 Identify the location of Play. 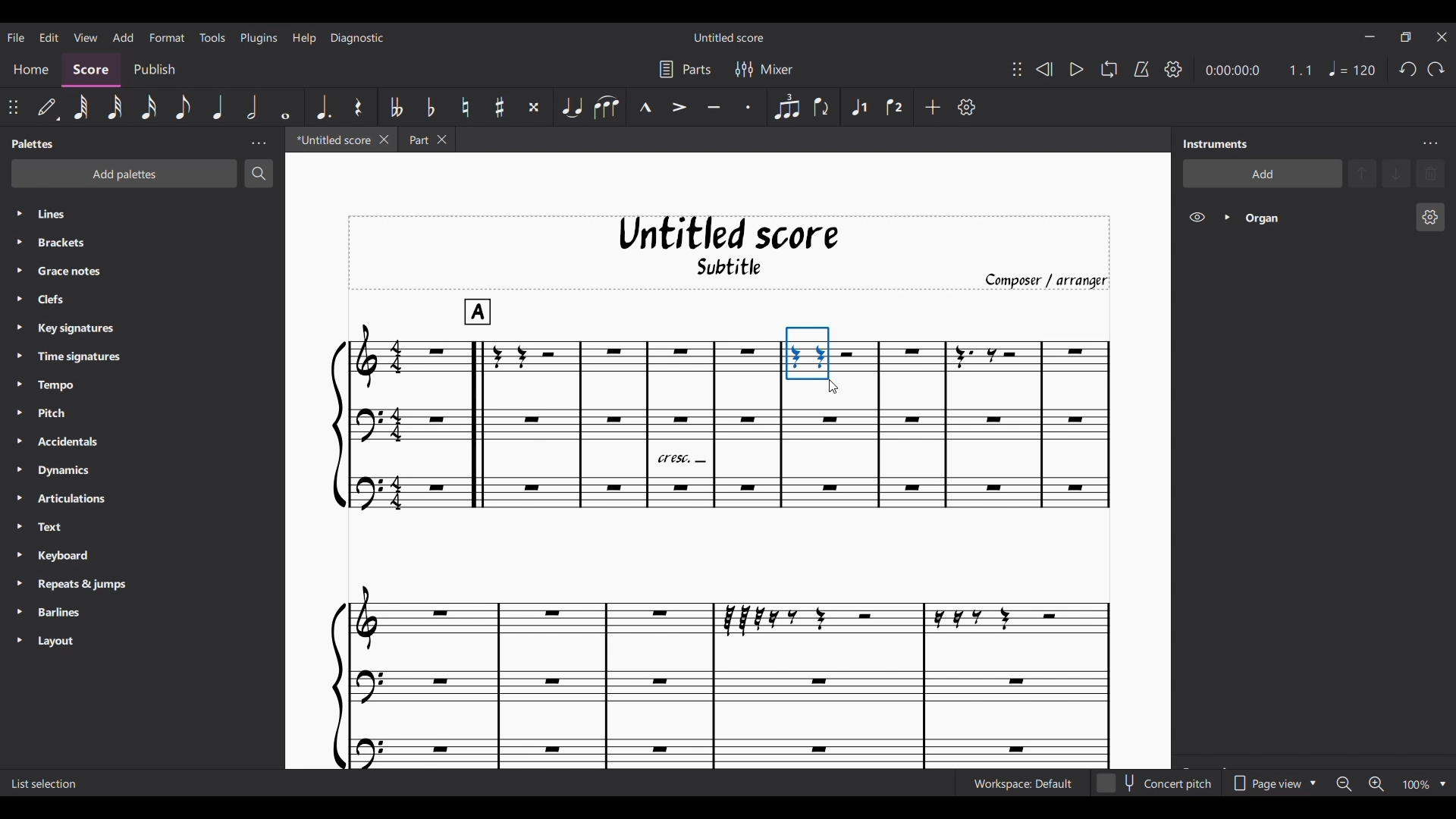
(1077, 70).